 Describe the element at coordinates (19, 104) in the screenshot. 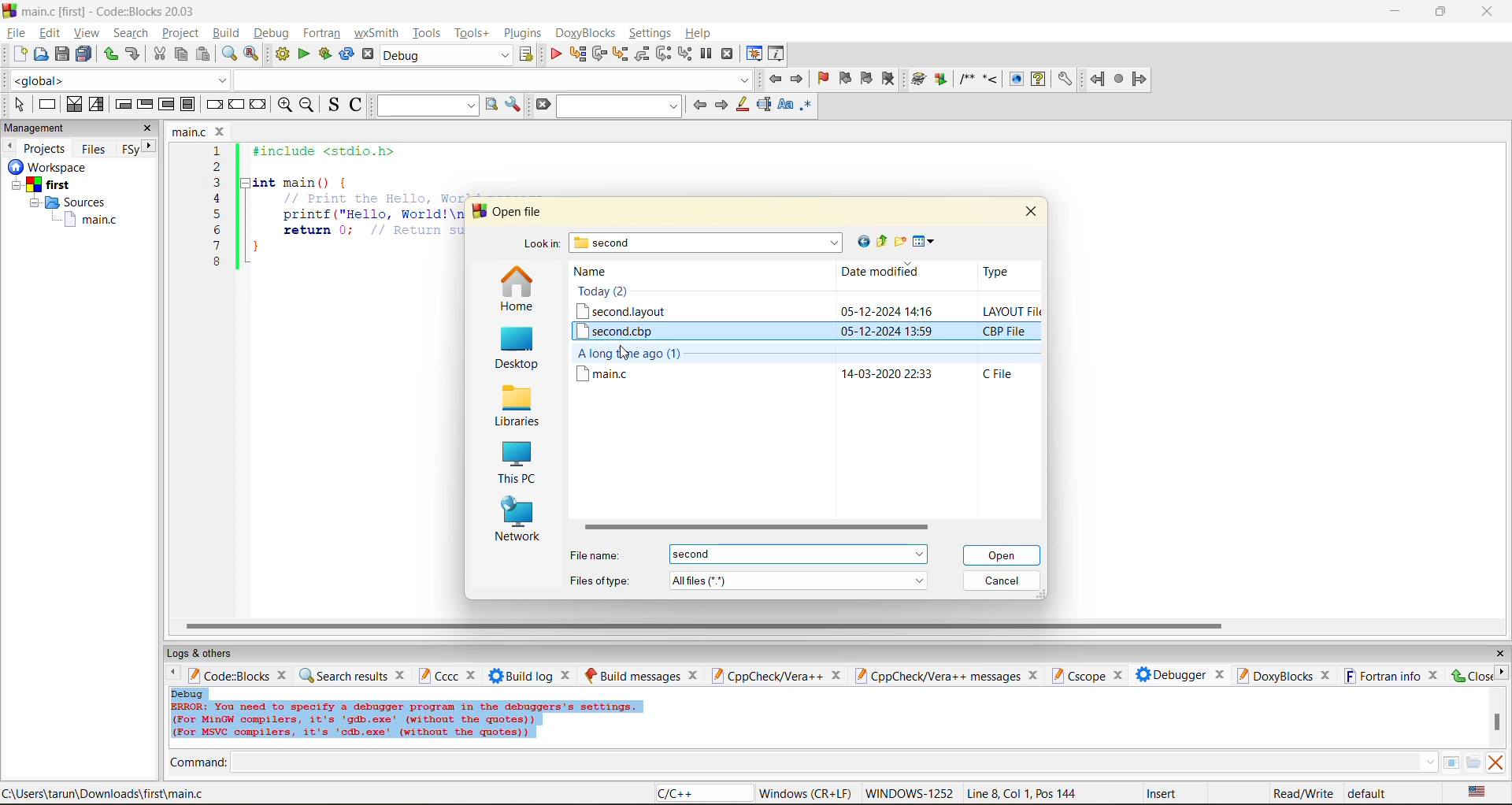

I see `select` at that location.